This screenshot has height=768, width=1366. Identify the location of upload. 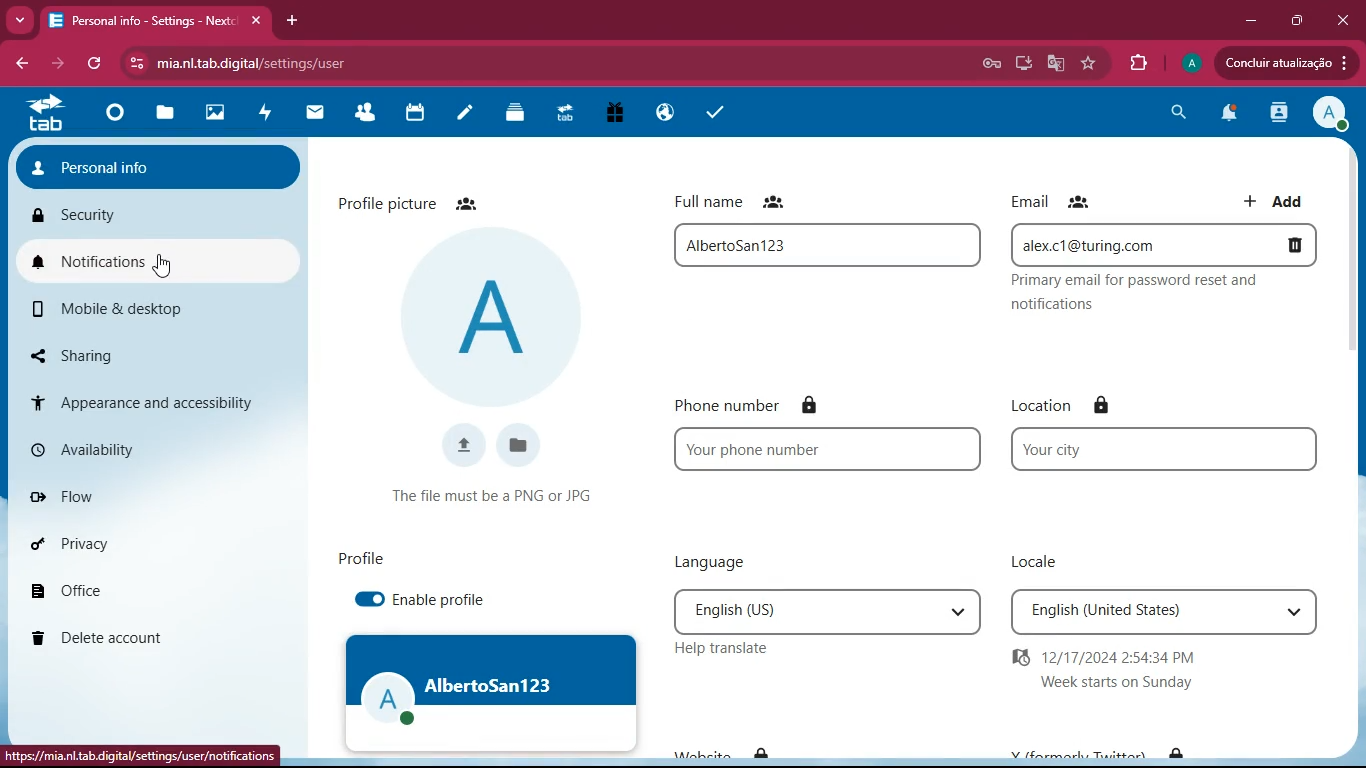
(461, 442).